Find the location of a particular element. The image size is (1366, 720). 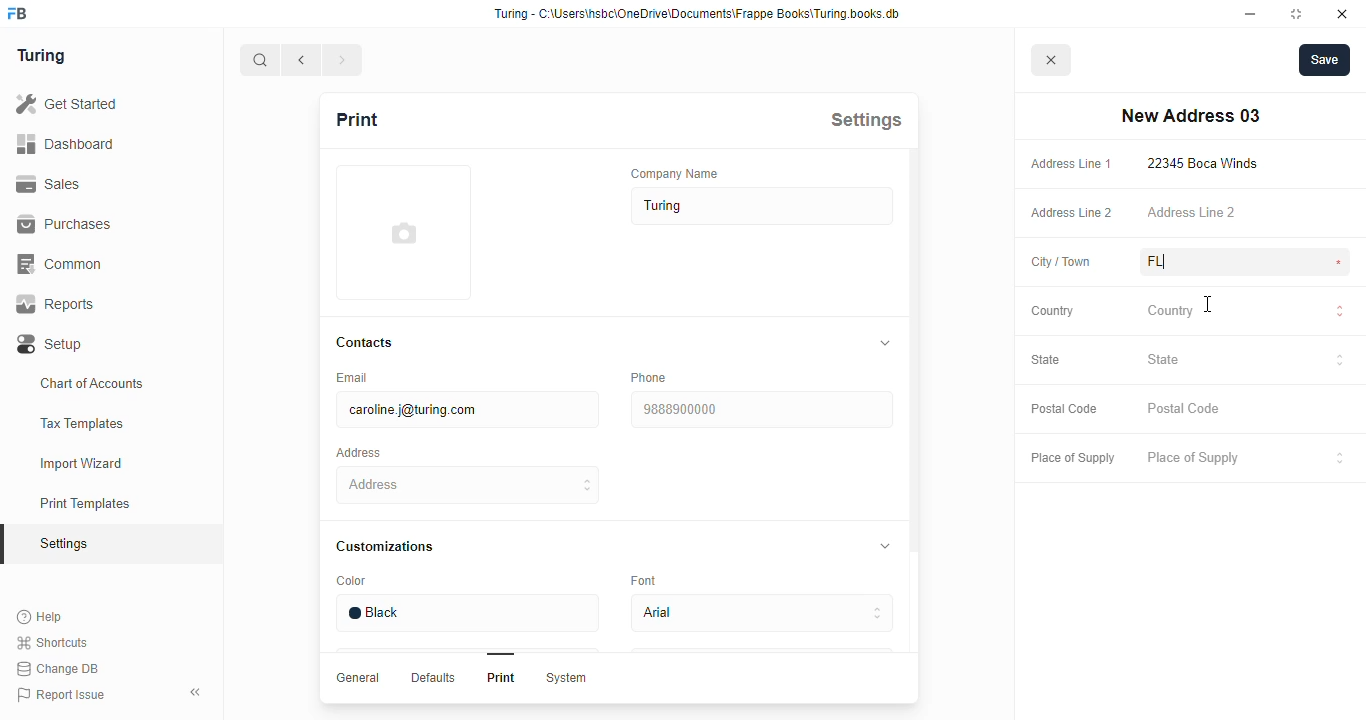

FB-logo is located at coordinates (17, 13).